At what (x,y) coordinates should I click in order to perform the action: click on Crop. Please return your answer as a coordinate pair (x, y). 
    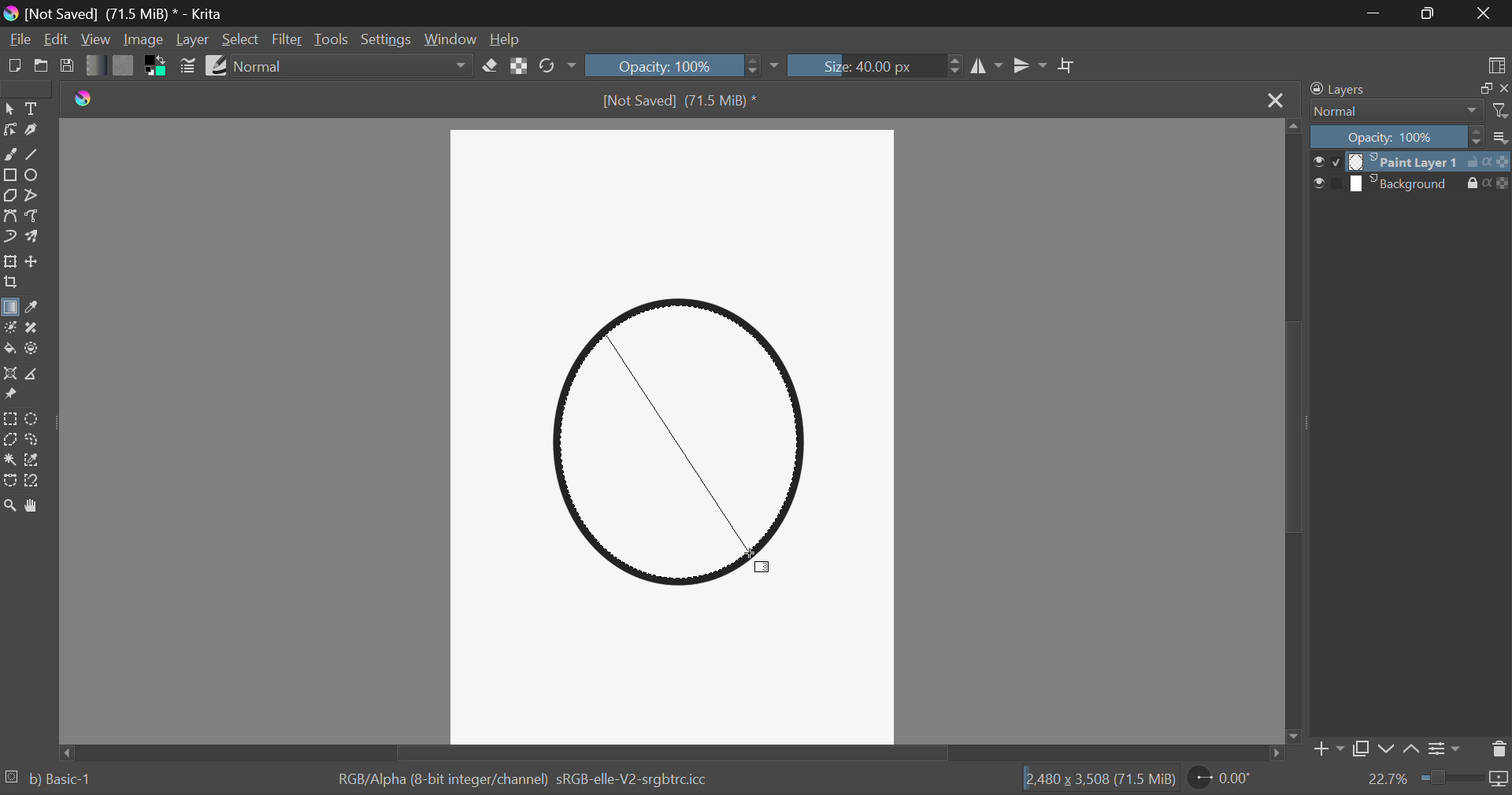
    Looking at the image, I should click on (1067, 66).